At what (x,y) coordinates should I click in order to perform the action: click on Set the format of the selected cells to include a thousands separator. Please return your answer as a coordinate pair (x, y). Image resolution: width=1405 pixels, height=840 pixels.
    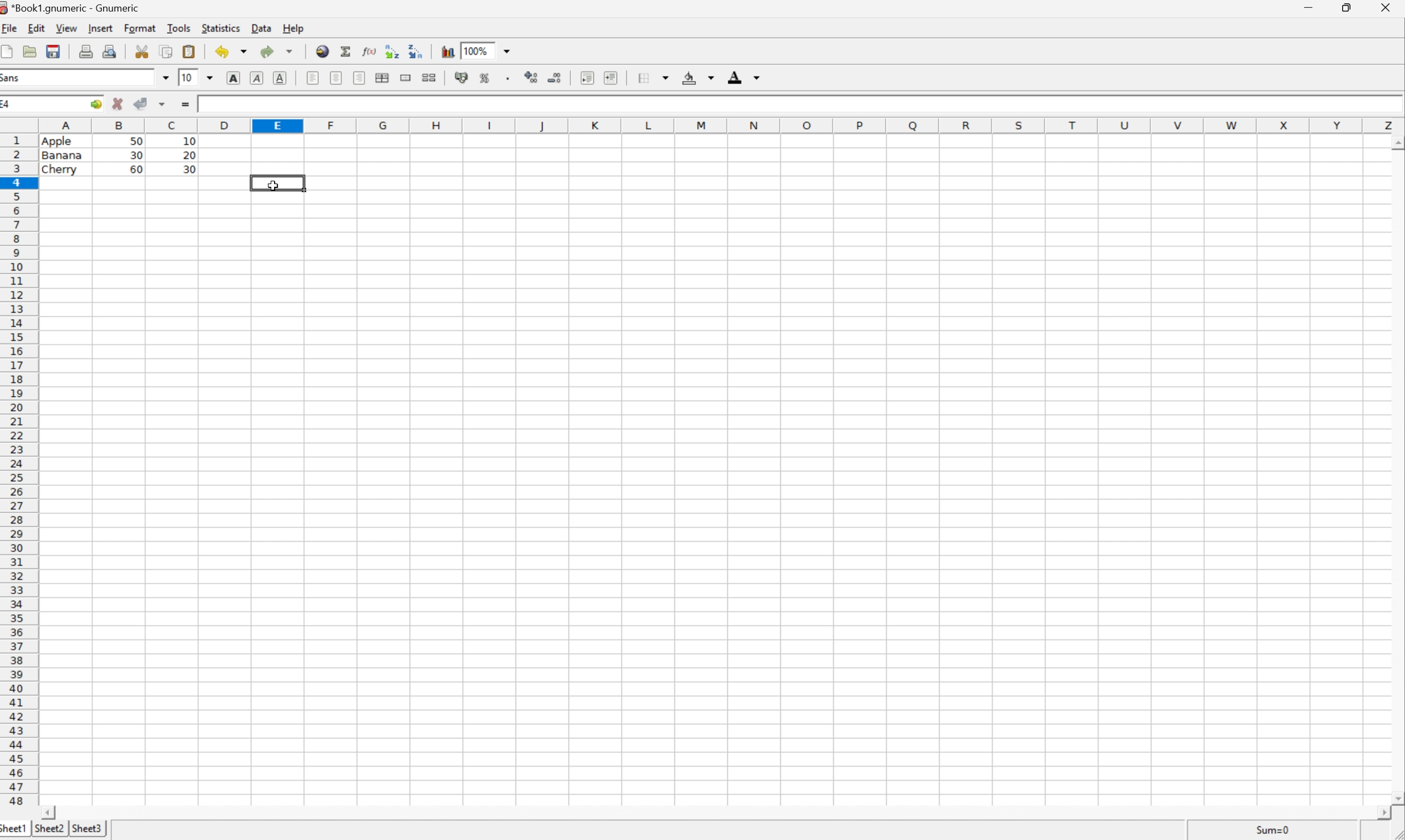
    Looking at the image, I should click on (509, 78).